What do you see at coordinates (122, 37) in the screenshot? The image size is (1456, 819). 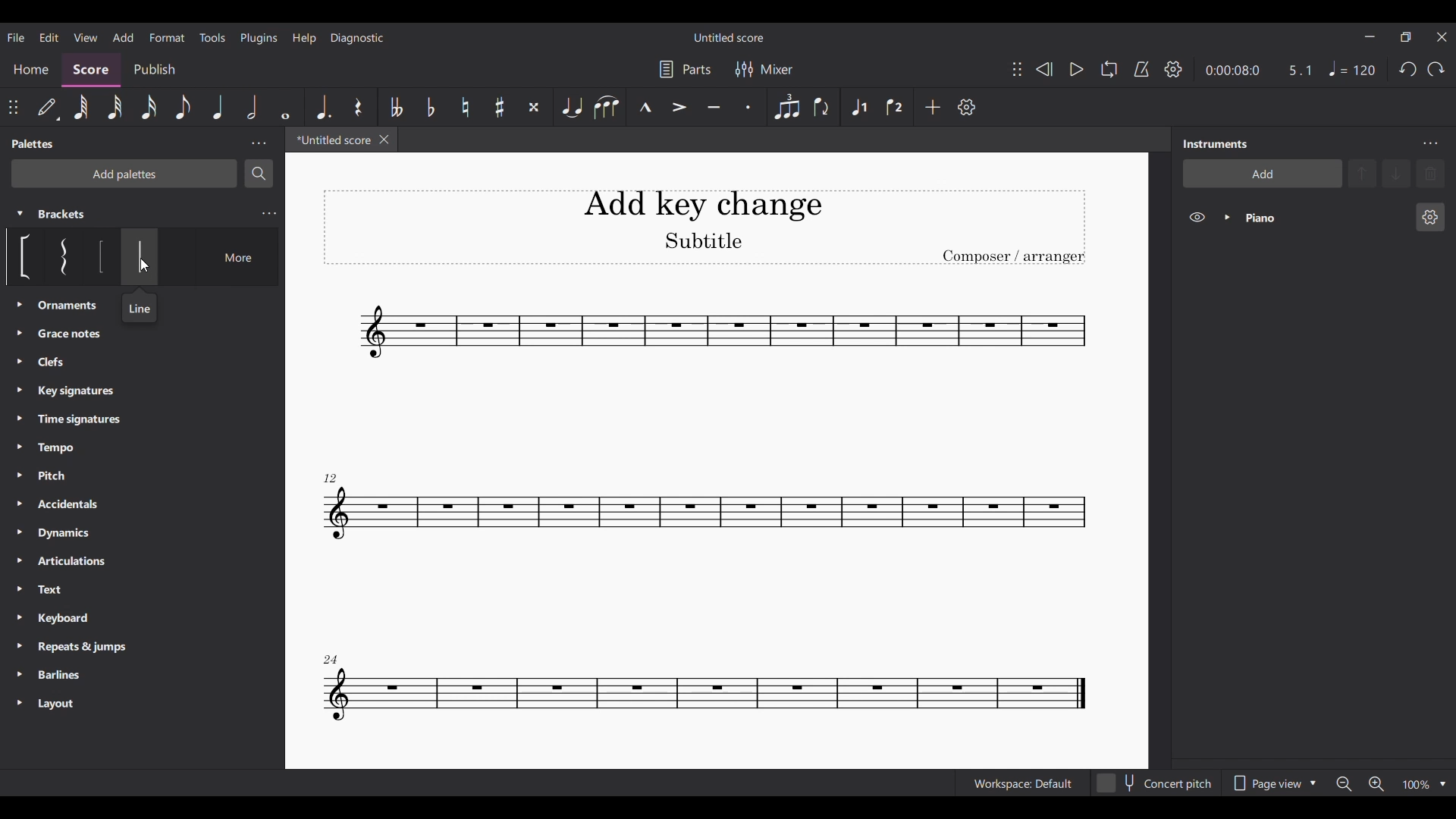 I see `Add menu` at bounding box center [122, 37].